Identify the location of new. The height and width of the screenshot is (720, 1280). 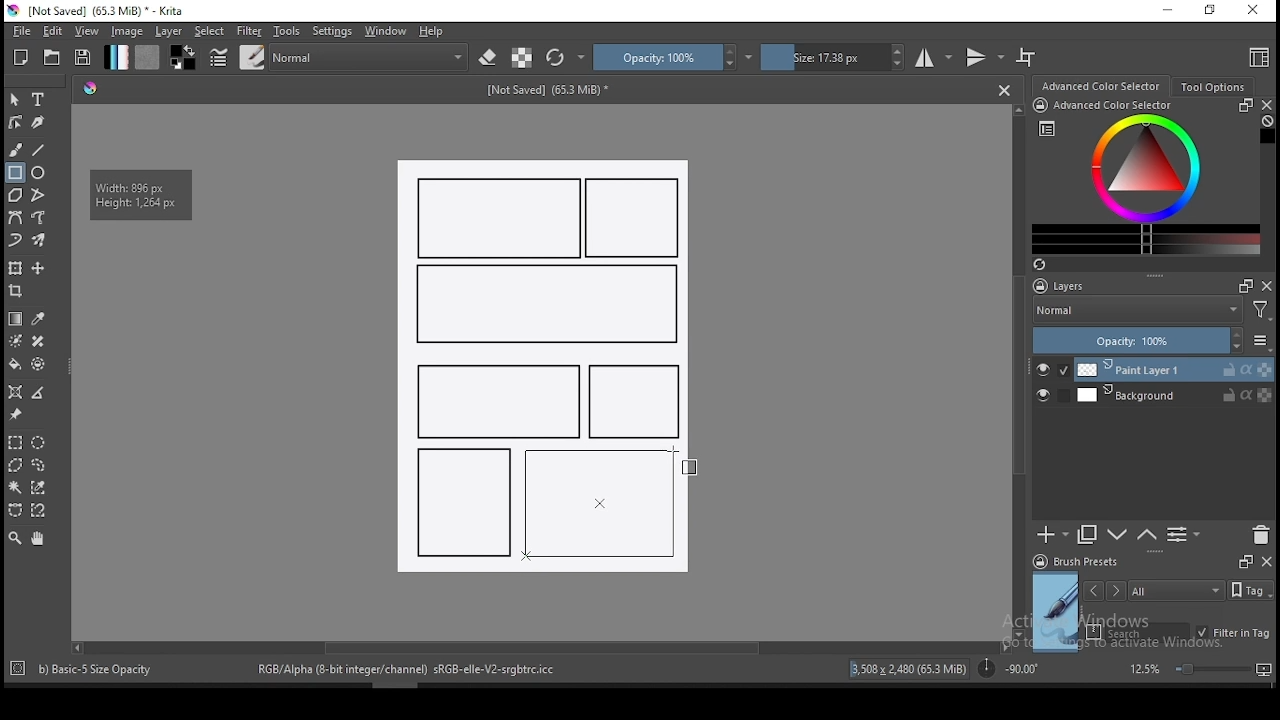
(21, 57).